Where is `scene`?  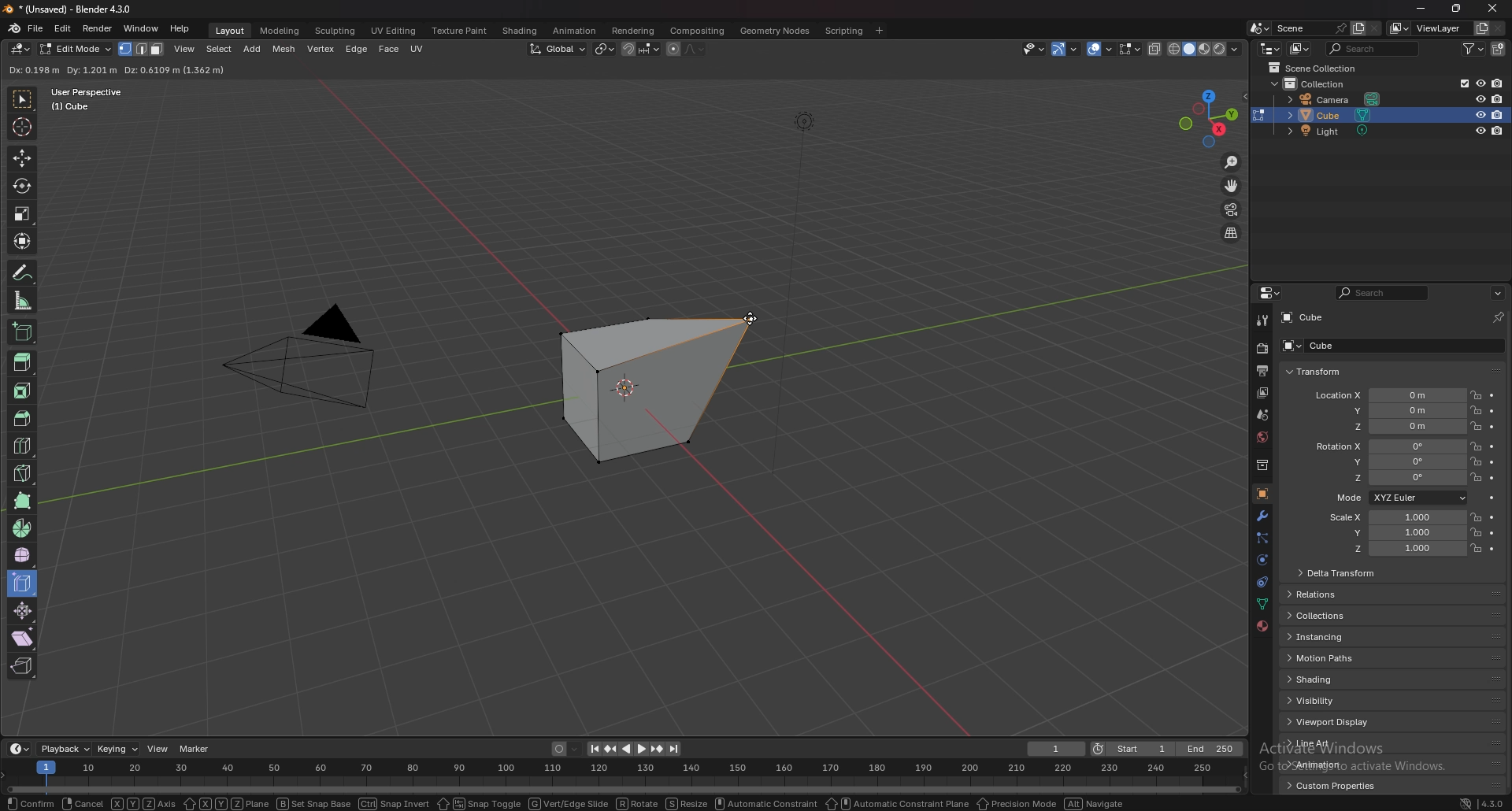
scene is located at coordinates (1311, 27).